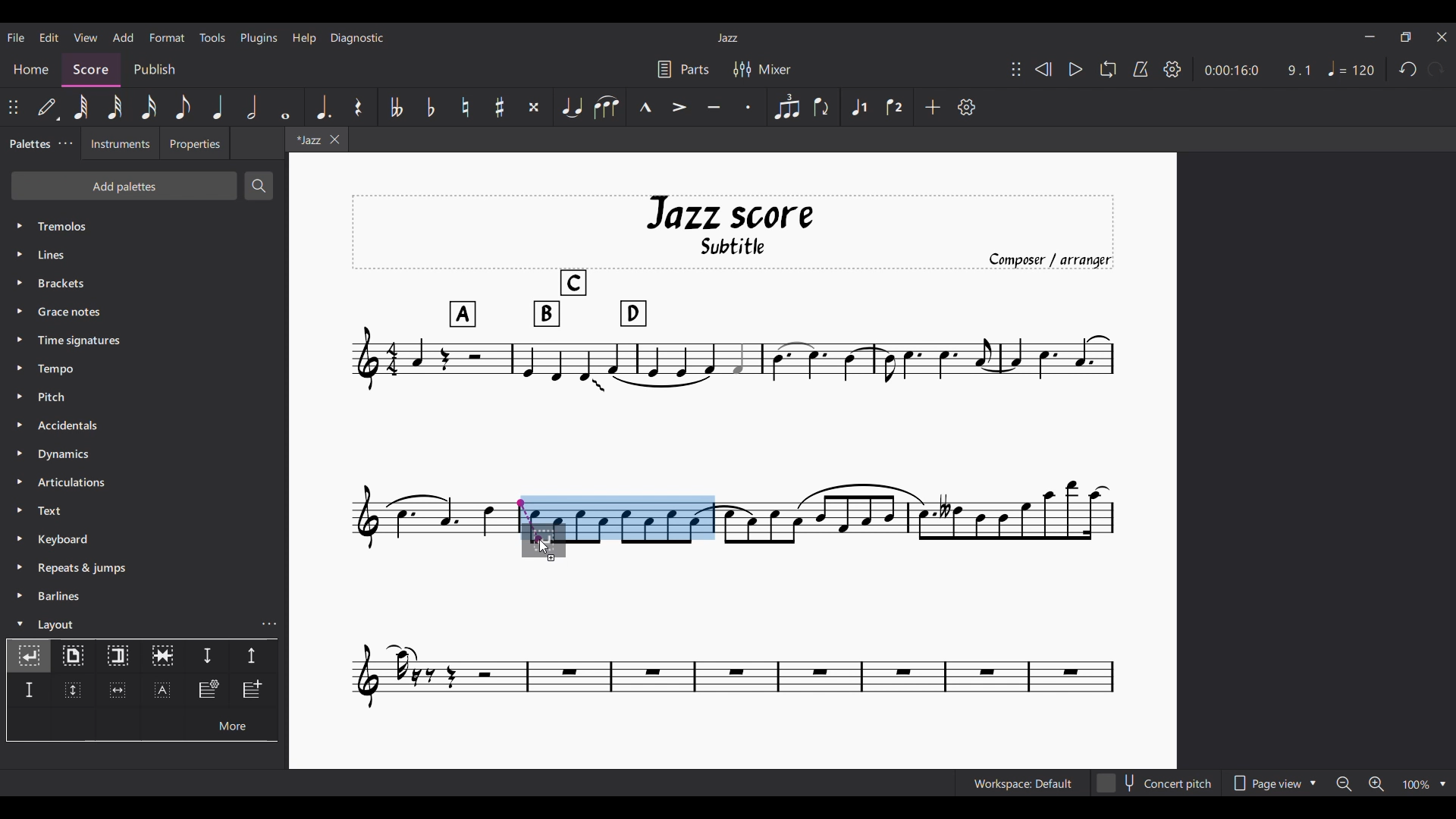 The image size is (1456, 819). Describe the element at coordinates (431, 107) in the screenshot. I see `Toggle flat` at that location.